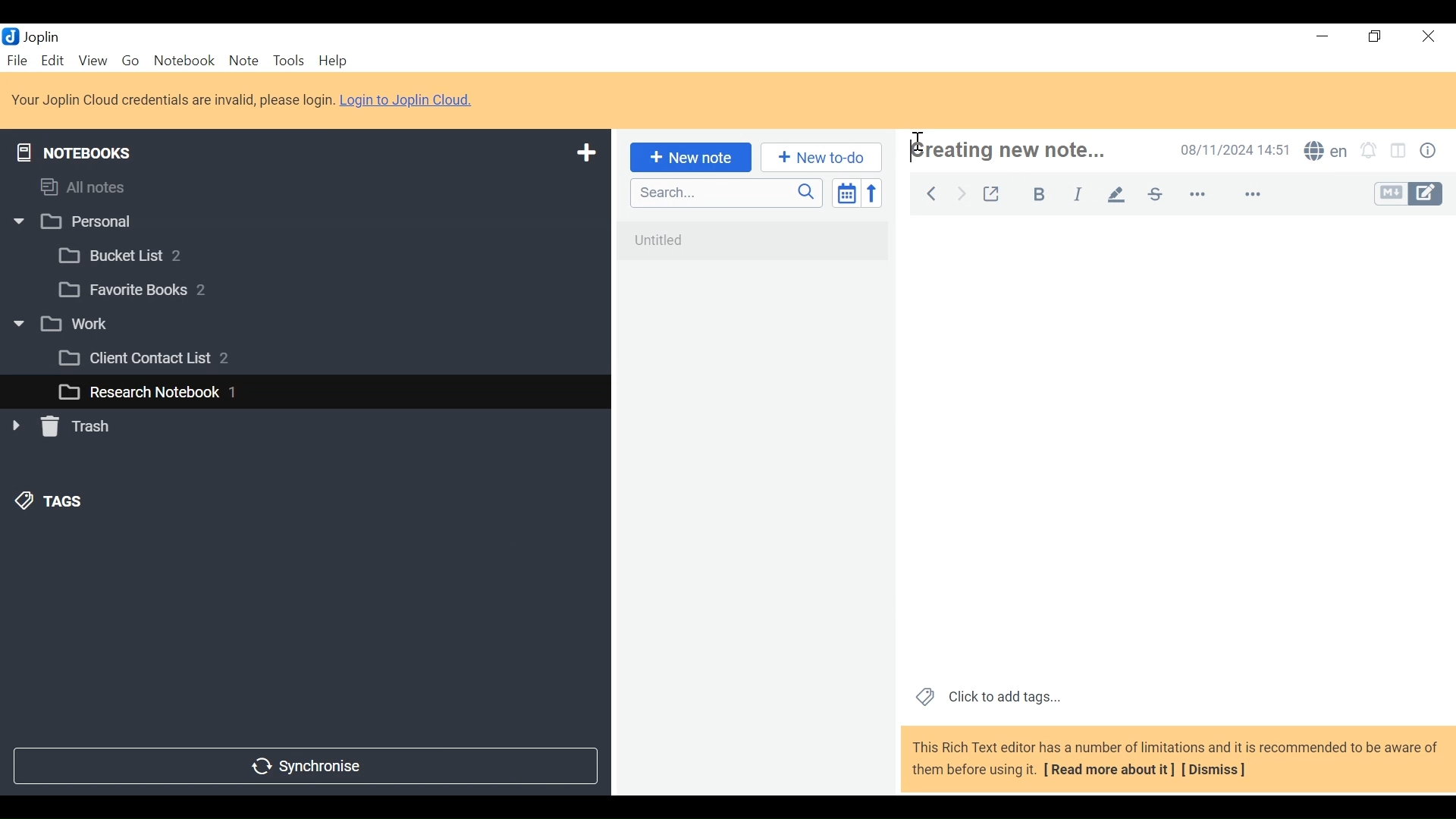 Image resolution: width=1456 pixels, height=819 pixels. What do you see at coordinates (39, 36) in the screenshot?
I see `Joplin Desktop Icon` at bounding box center [39, 36].